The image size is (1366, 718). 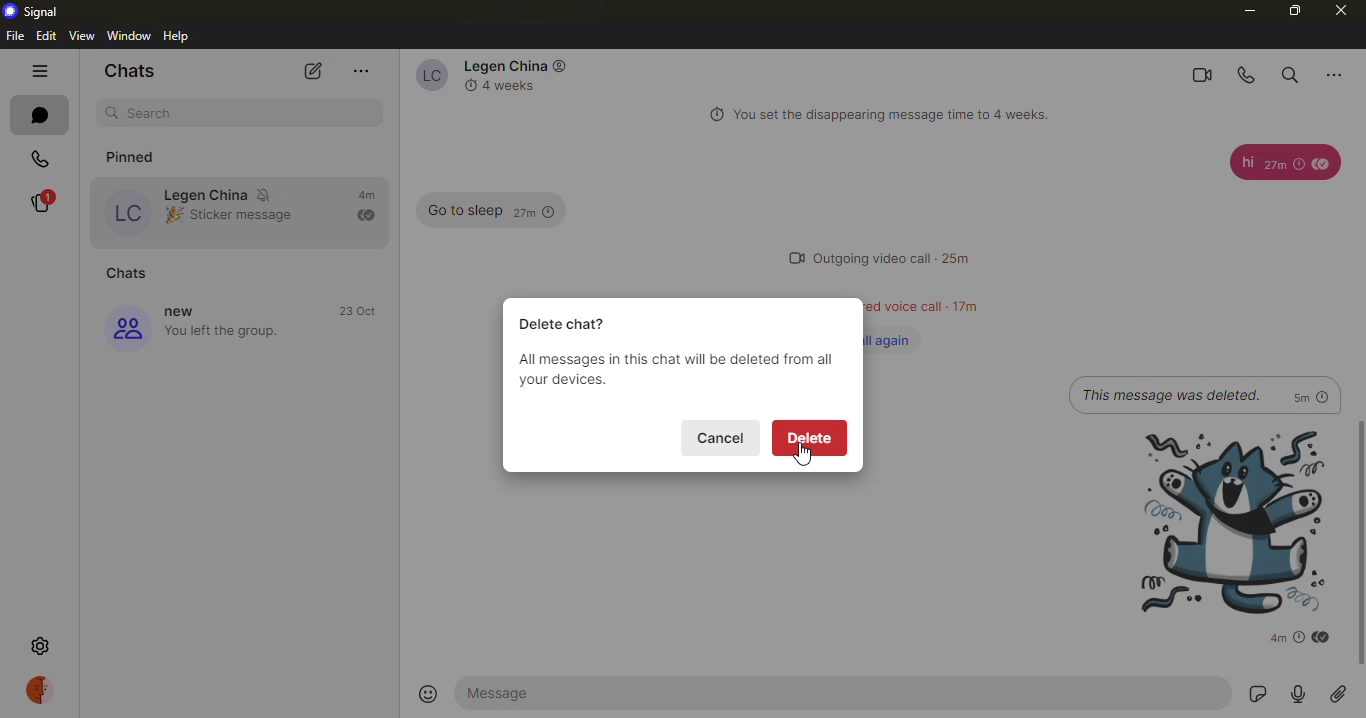 I want to click on minimize, so click(x=1247, y=10).